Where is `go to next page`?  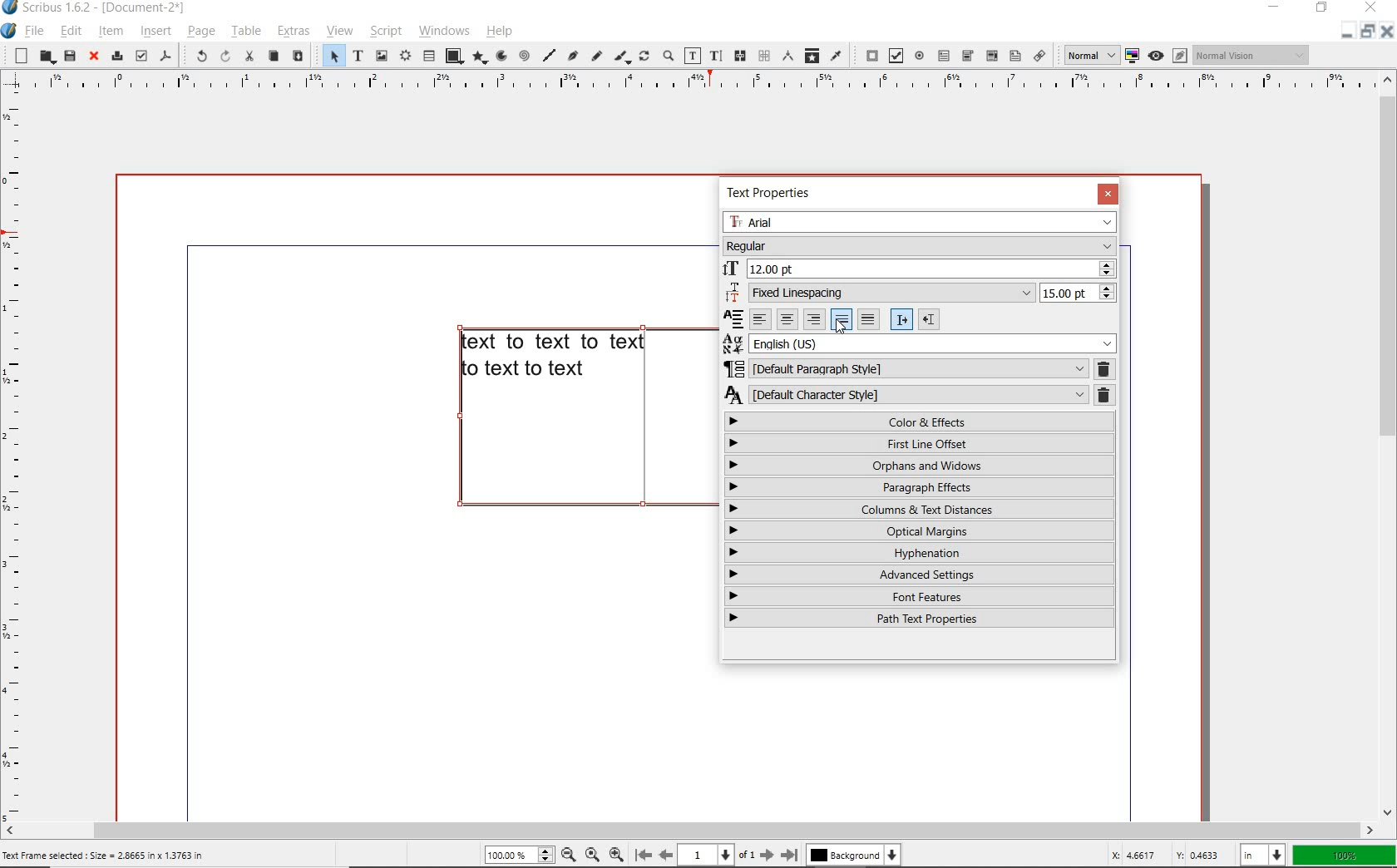 go to next page is located at coordinates (768, 855).